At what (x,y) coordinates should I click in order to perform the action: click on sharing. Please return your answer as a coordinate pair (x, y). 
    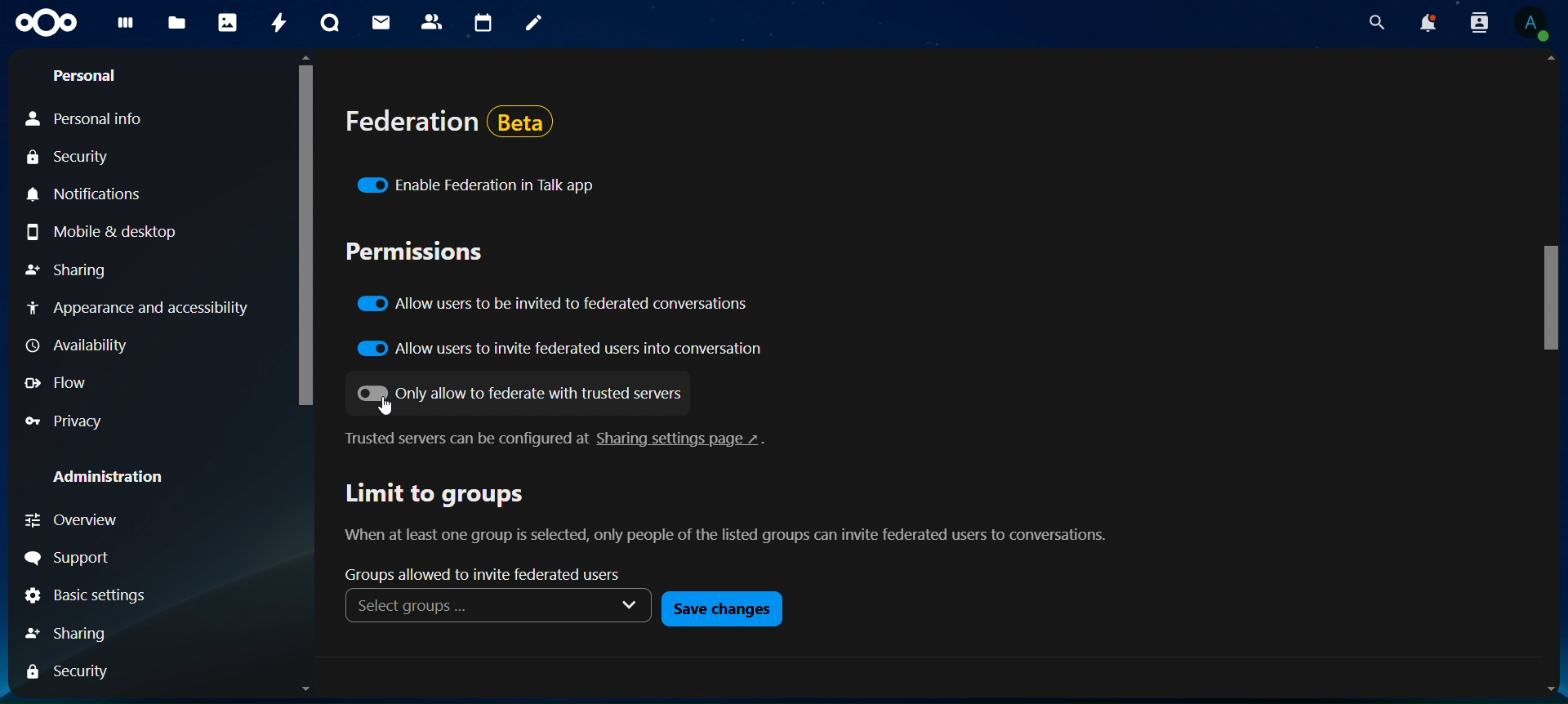
    Looking at the image, I should click on (68, 635).